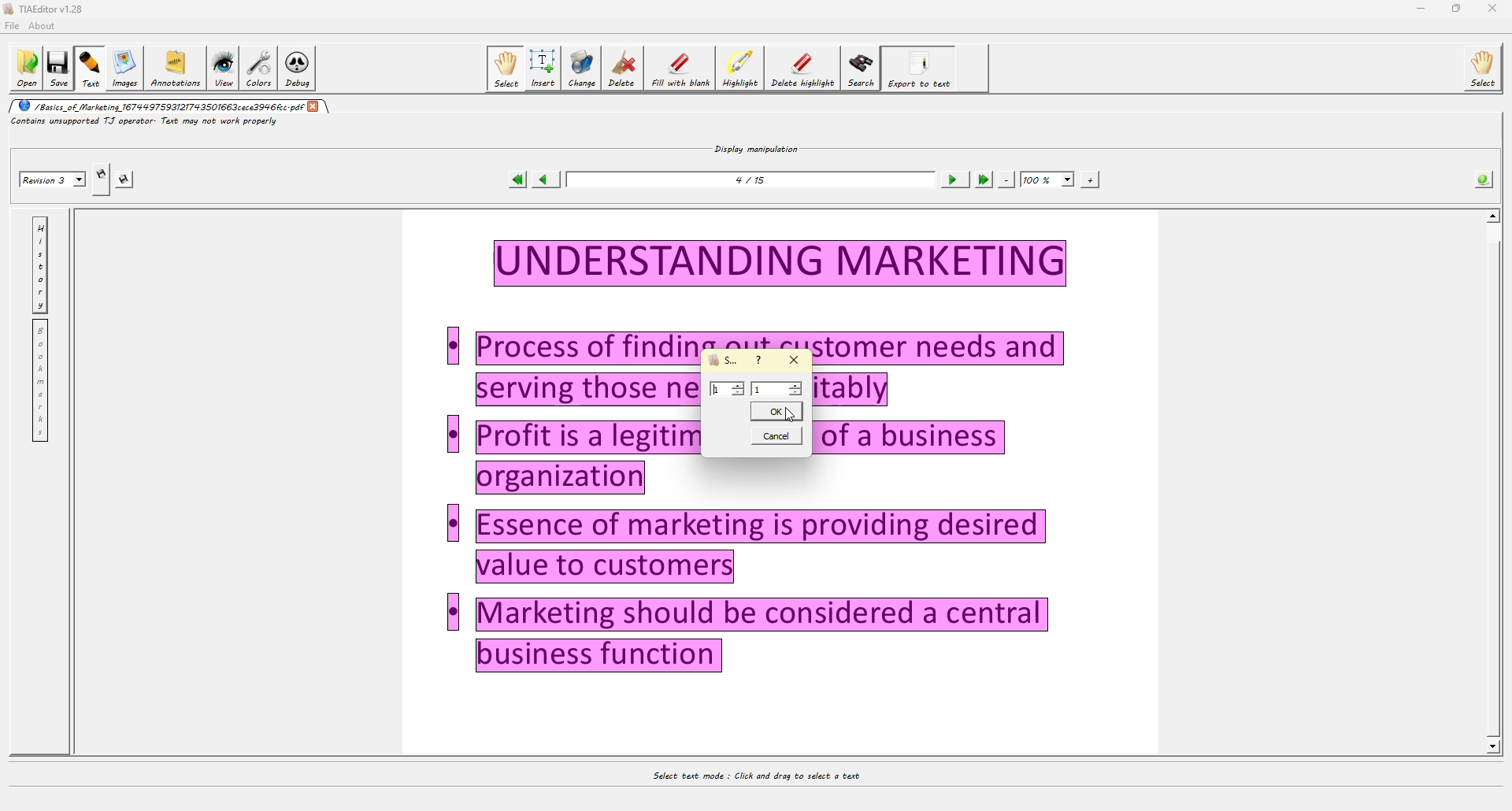  I want to click on debug, so click(297, 69).